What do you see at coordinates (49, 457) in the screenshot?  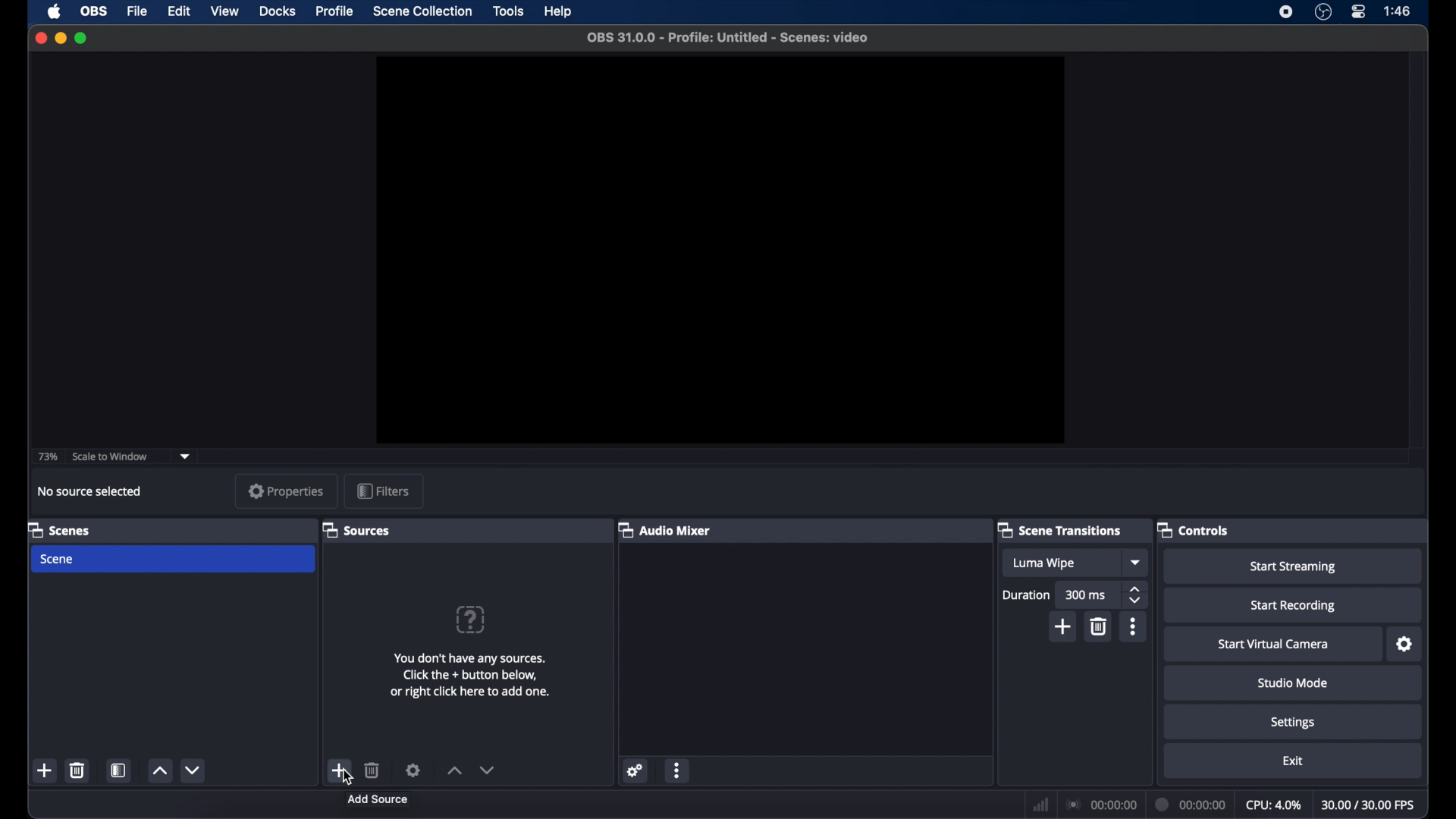 I see `73%` at bounding box center [49, 457].